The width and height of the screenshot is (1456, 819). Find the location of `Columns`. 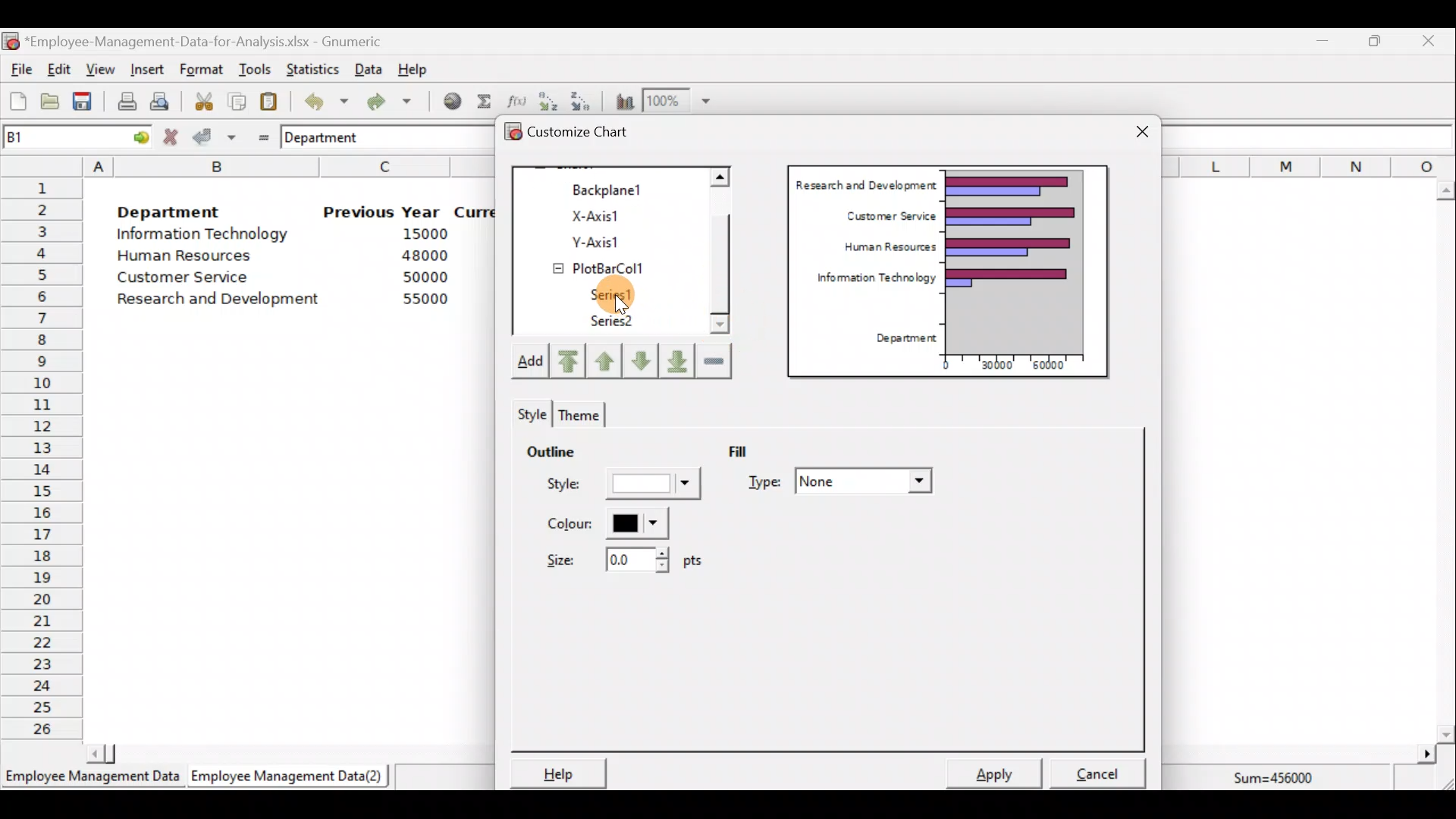

Columns is located at coordinates (1309, 165).